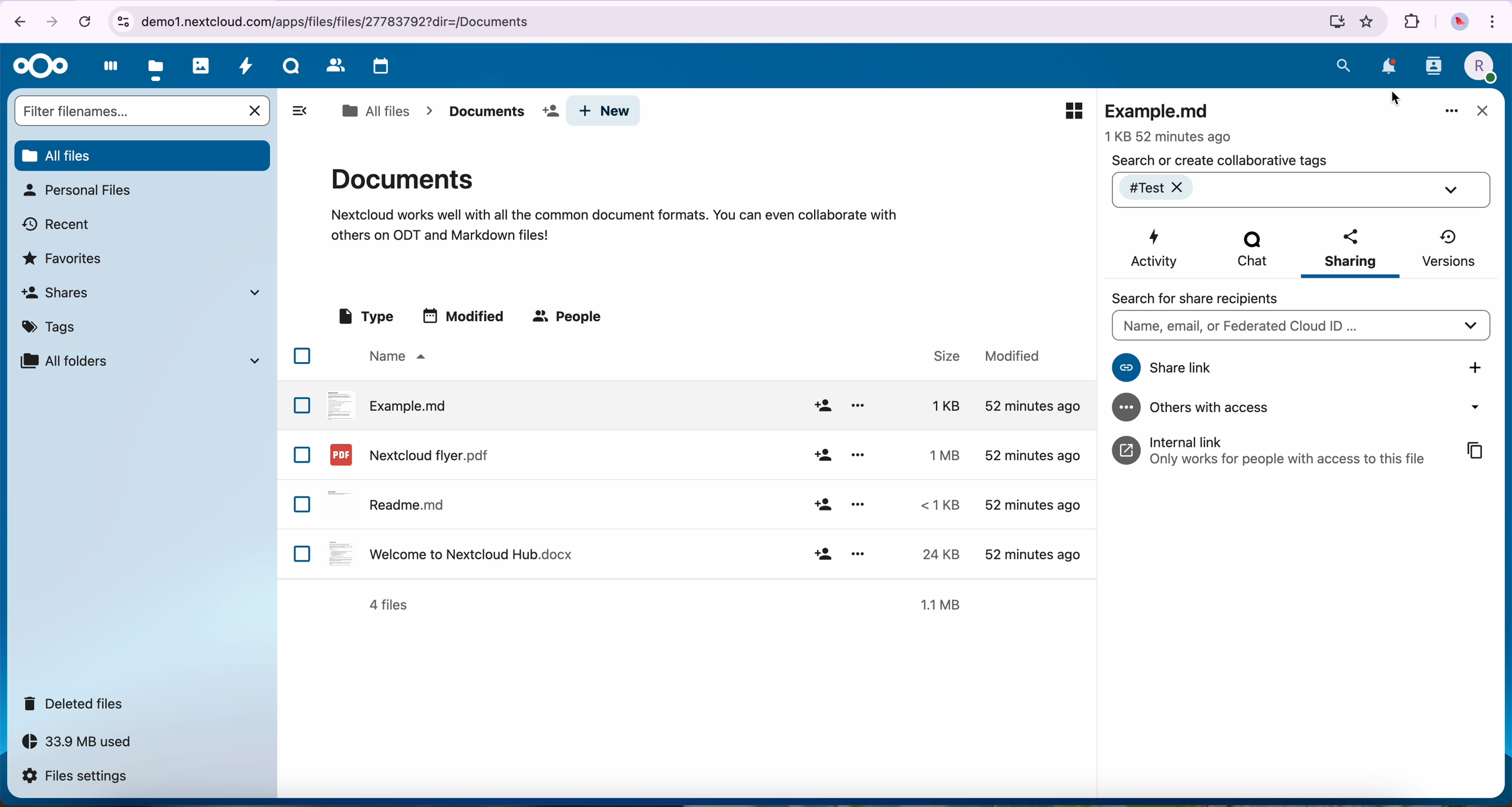  What do you see at coordinates (1368, 22) in the screenshot?
I see `favorites` at bounding box center [1368, 22].